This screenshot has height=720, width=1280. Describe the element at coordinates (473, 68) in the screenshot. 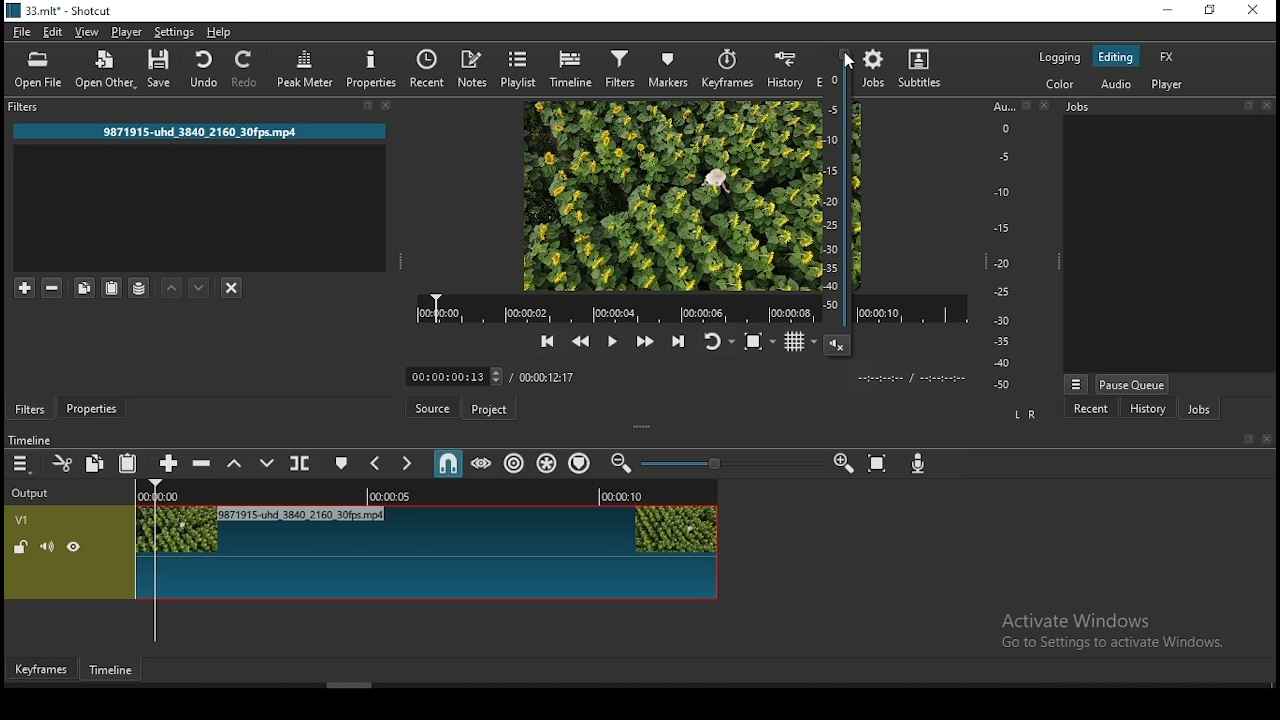

I see `notes` at that location.